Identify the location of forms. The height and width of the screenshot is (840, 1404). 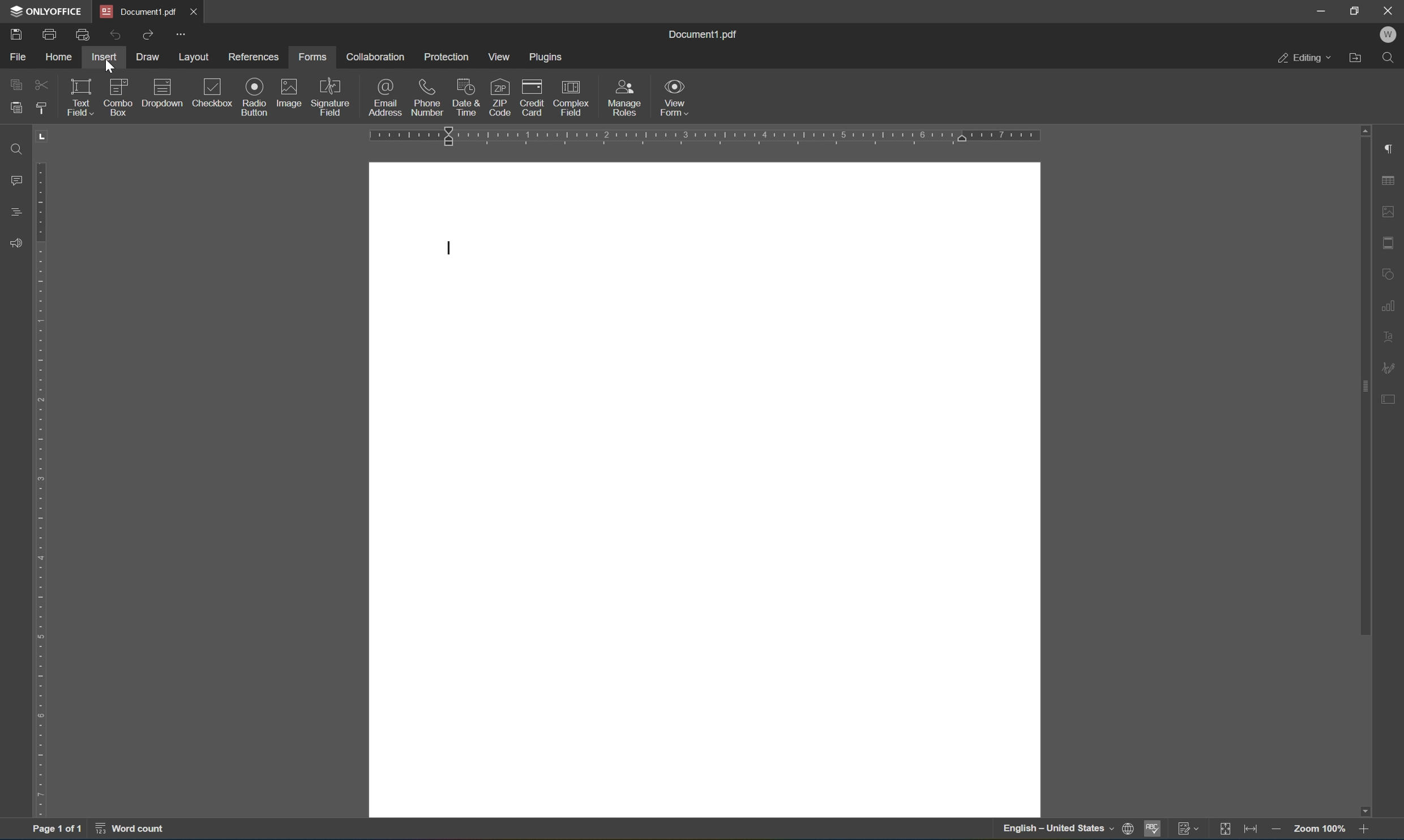
(313, 56).